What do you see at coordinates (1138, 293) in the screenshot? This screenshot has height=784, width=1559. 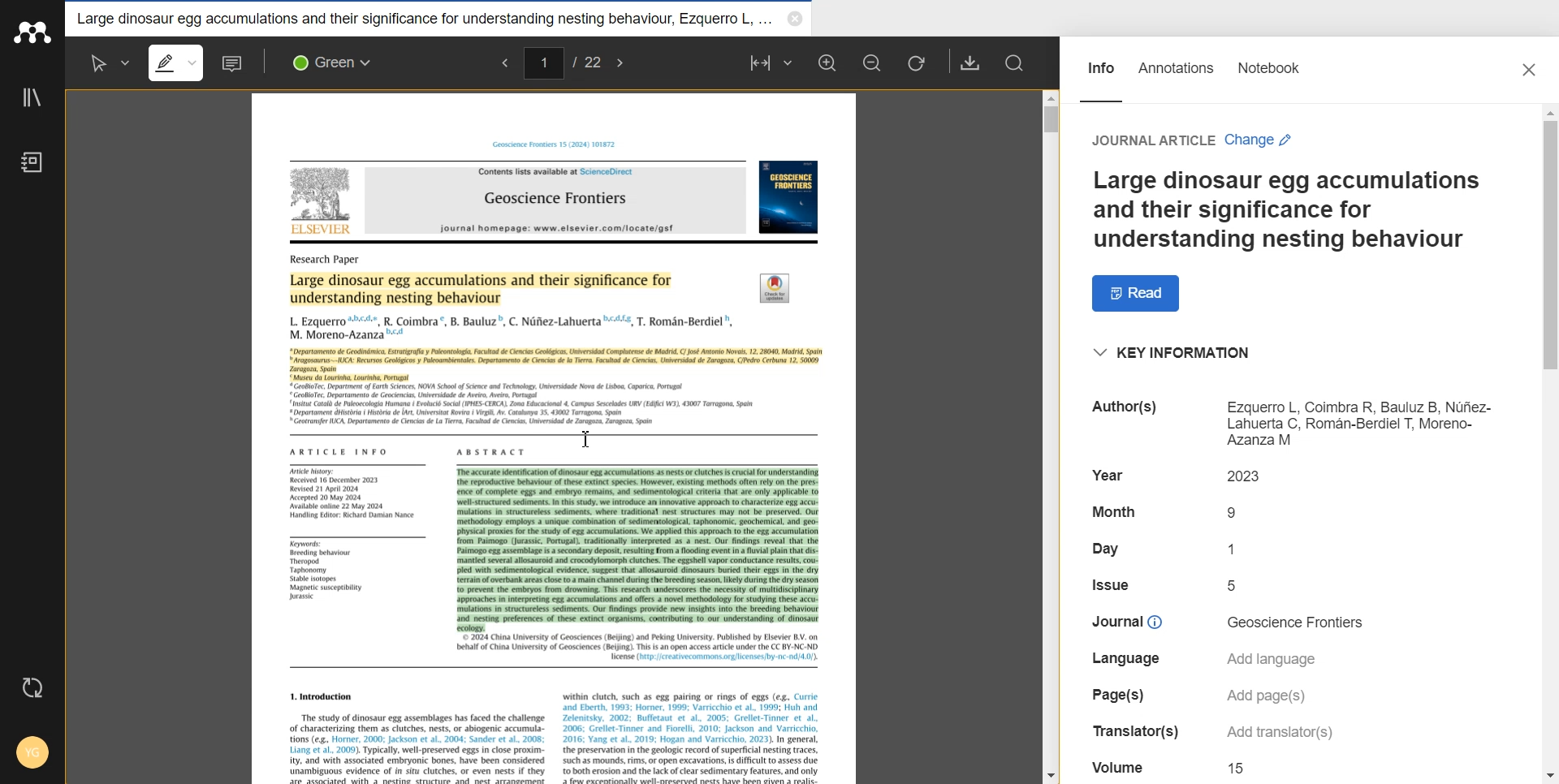 I see `Read` at bounding box center [1138, 293].